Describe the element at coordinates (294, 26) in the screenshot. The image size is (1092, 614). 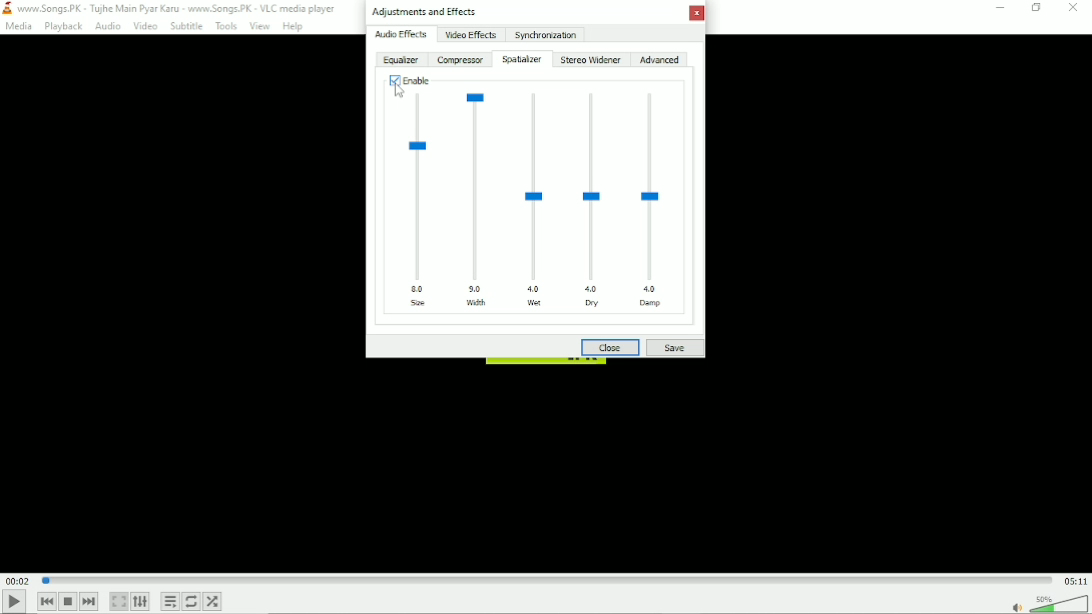
I see `Help` at that location.